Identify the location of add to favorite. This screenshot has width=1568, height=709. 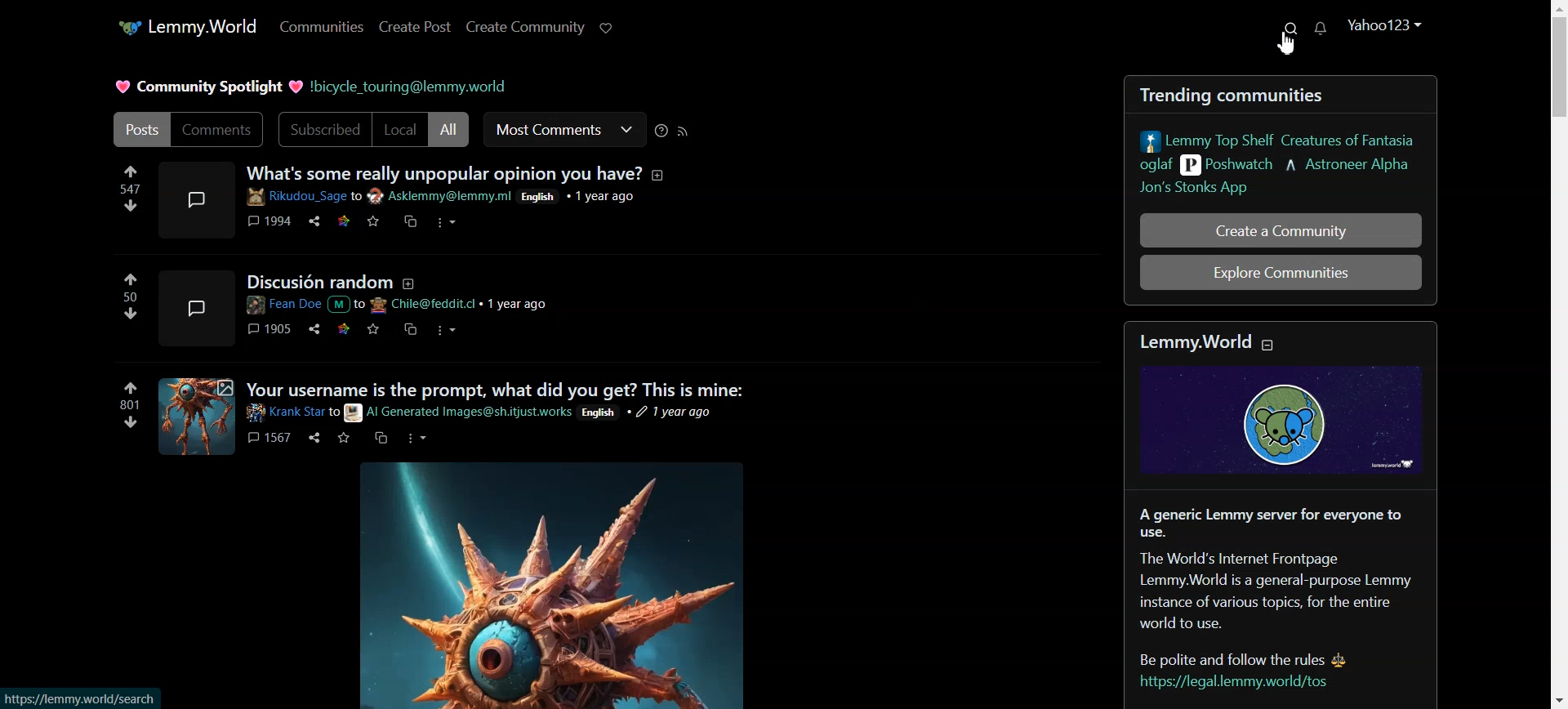
(344, 440).